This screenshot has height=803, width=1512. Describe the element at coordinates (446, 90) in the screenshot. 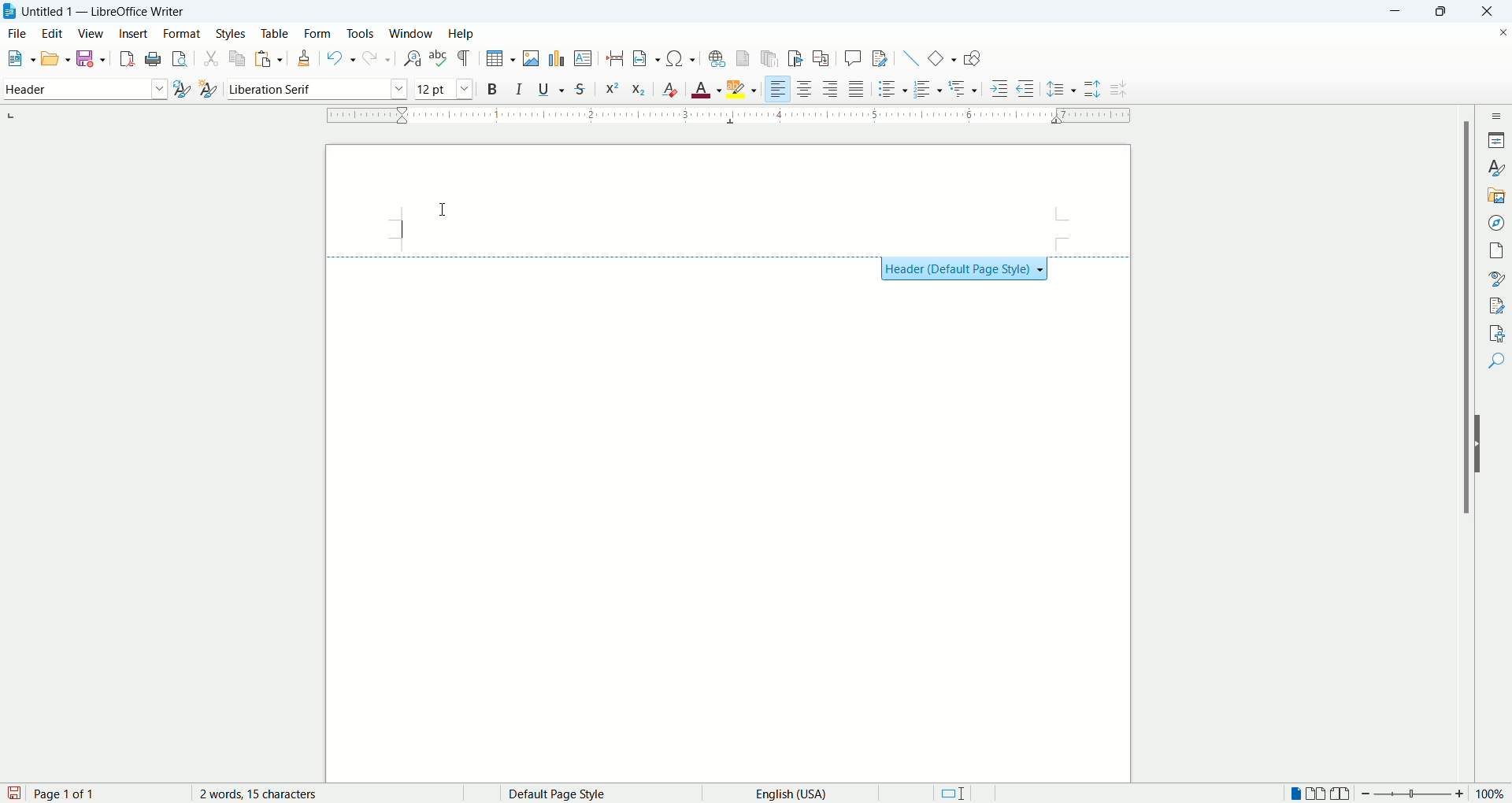

I see `font size` at that location.